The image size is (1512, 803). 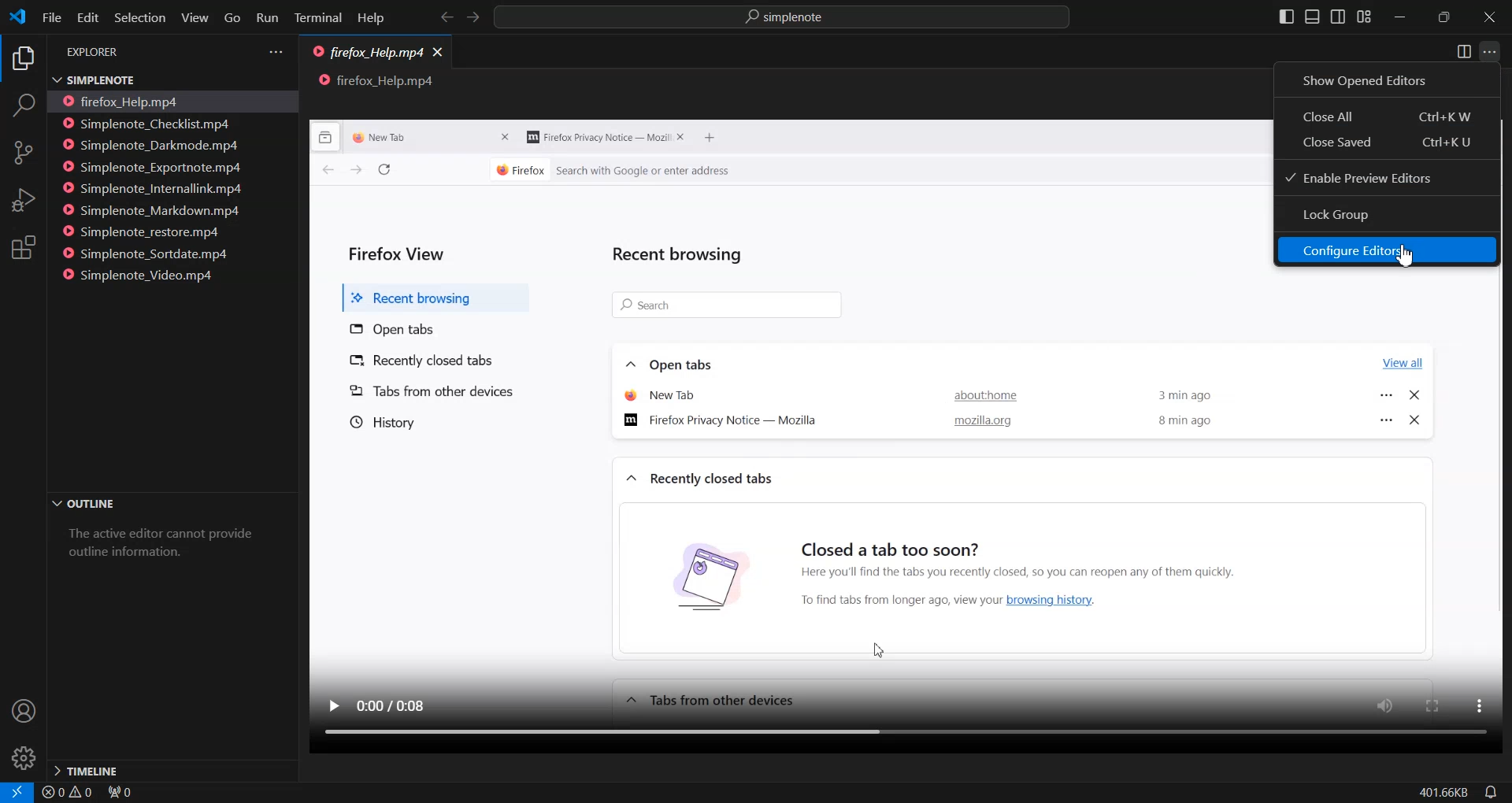 I want to click on Close, so click(x=439, y=50).